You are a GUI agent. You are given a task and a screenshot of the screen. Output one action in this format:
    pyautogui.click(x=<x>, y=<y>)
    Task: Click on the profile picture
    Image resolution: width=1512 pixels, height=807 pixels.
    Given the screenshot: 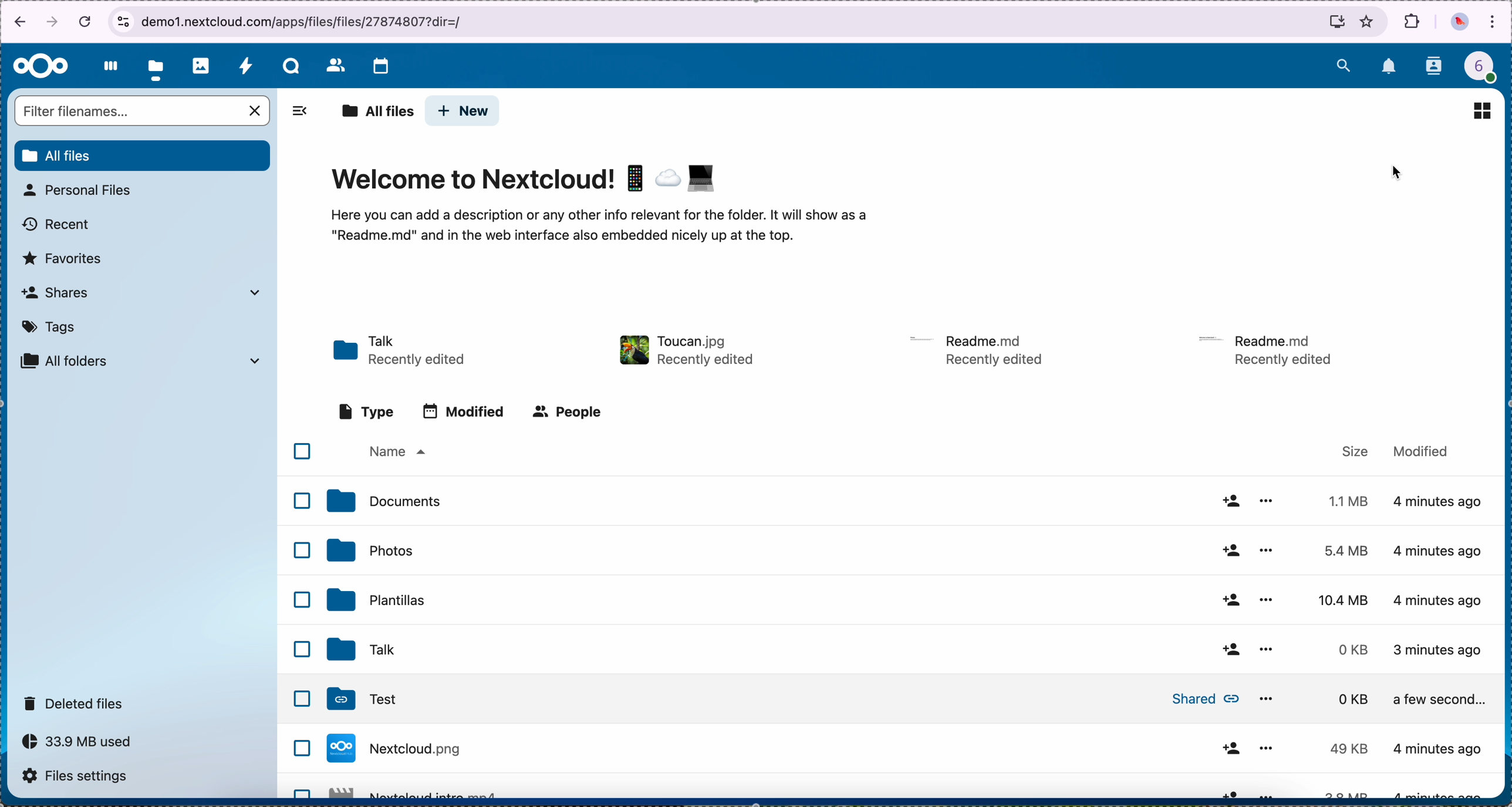 What is the action you would take?
    pyautogui.click(x=1460, y=23)
    